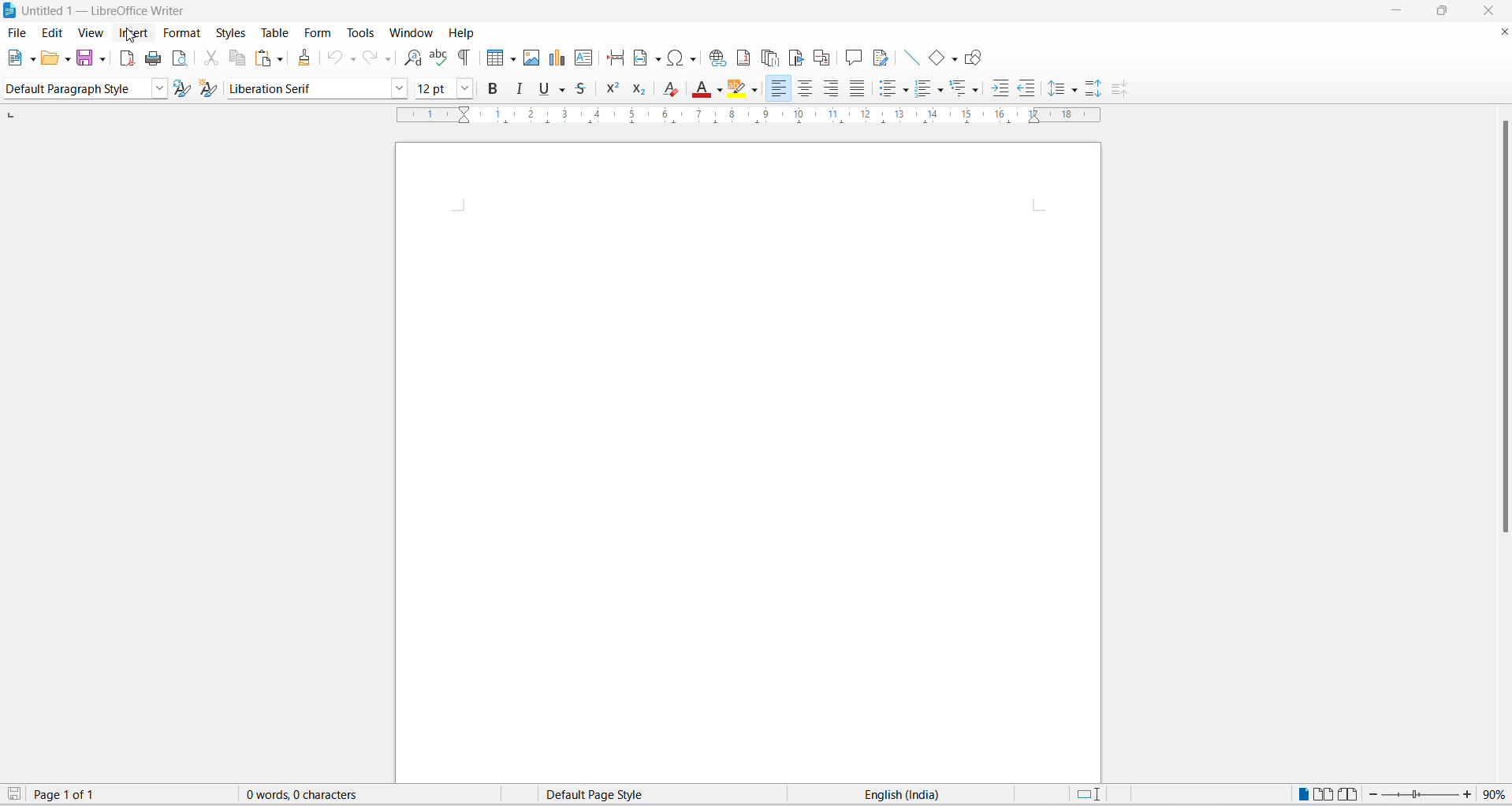  Describe the element at coordinates (1469, 794) in the screenshot. I see `increase` at that location.